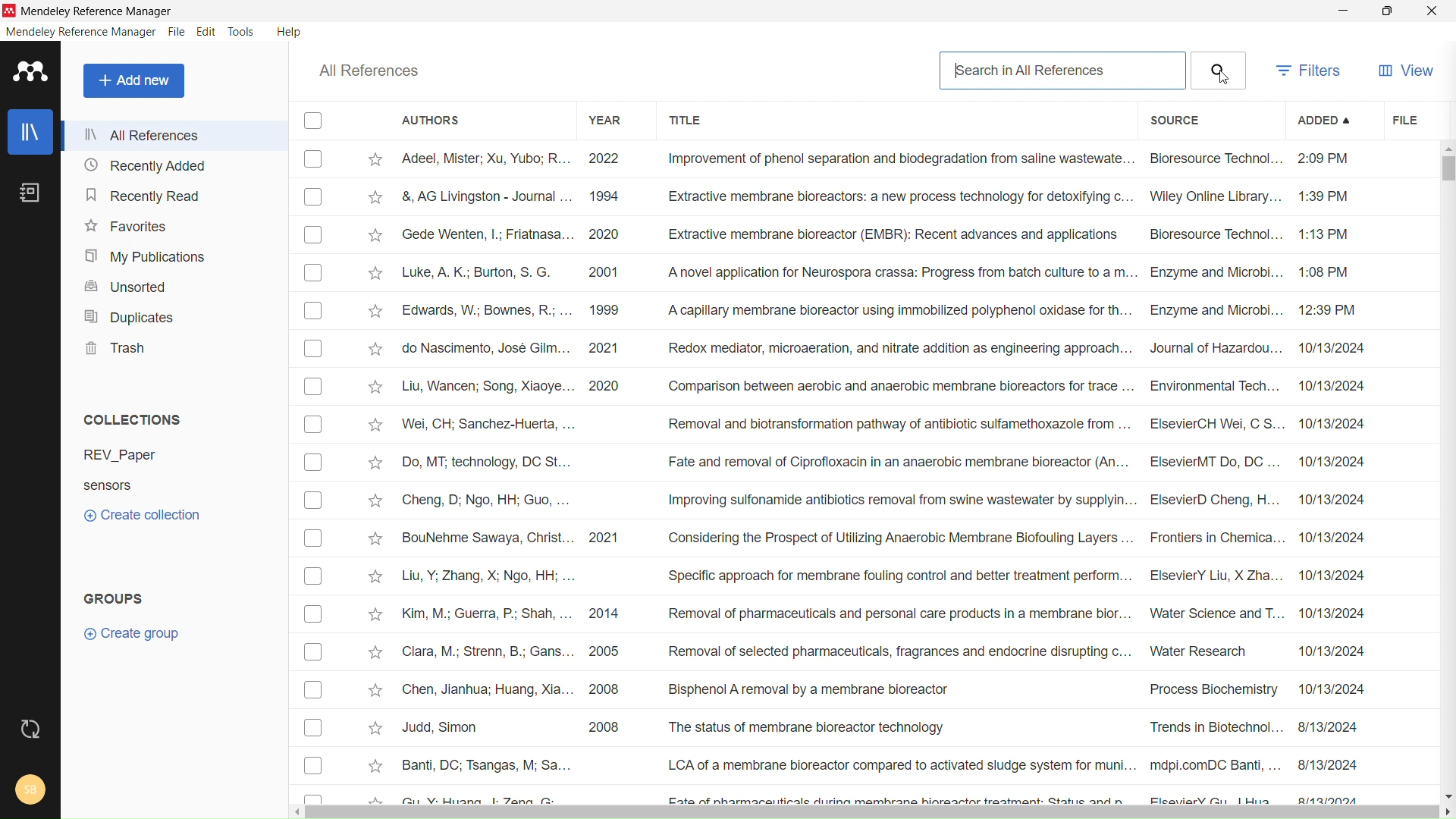 The image size is (1456, 819). What do you see at coordinates (374, 460) in the screenshot?
I see `Add to favorites` at bounding box center [374, 460].